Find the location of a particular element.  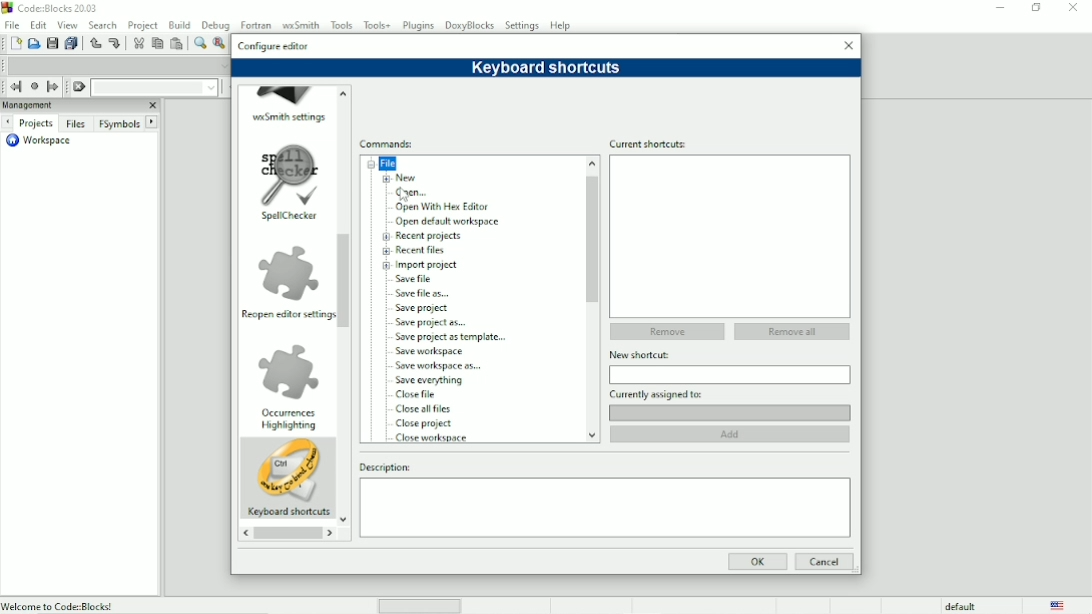

Find is located at coordinates (199, 43).